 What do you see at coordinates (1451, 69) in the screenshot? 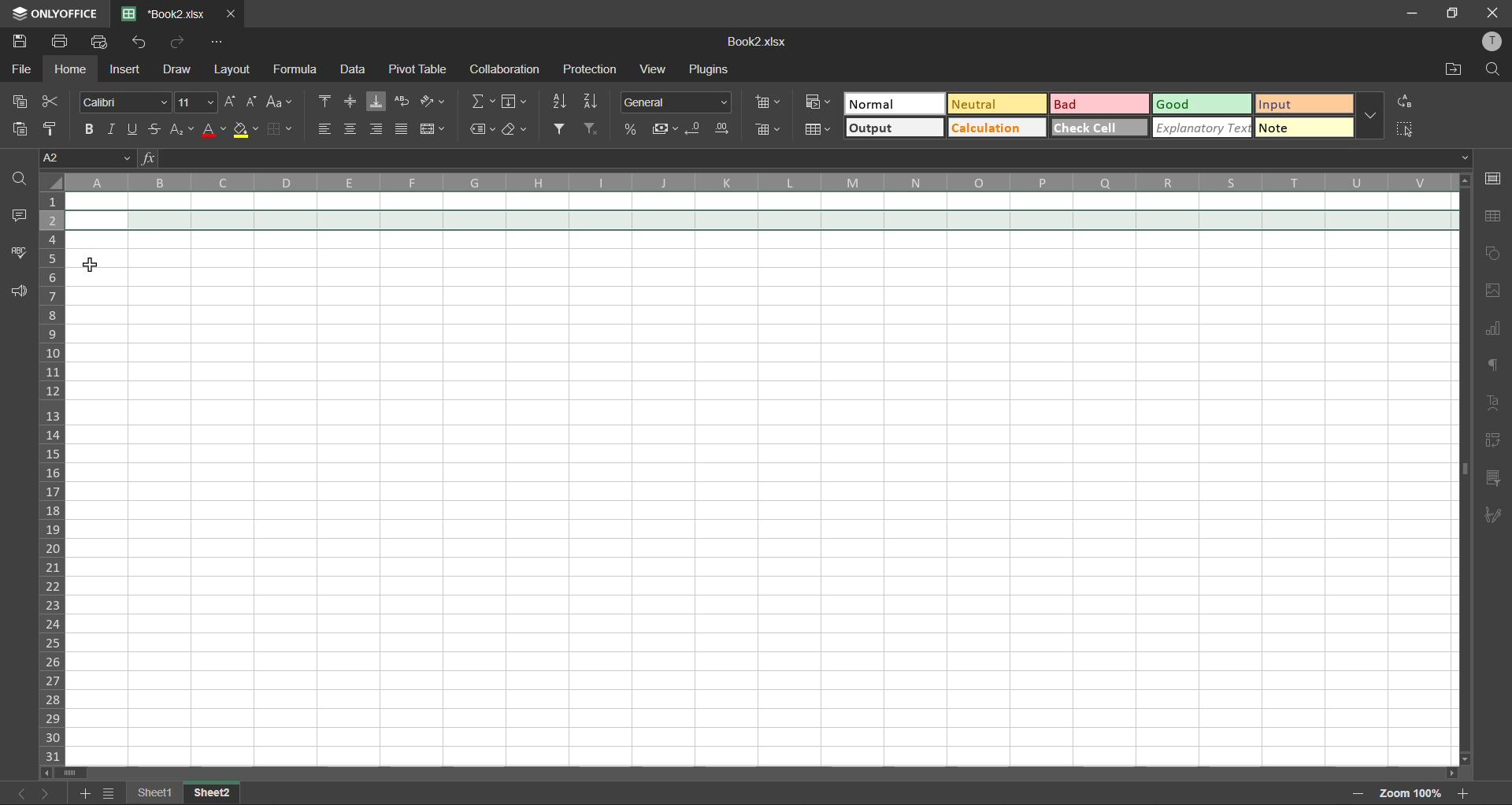
I see `open location` at bounding box center [1451, 69].